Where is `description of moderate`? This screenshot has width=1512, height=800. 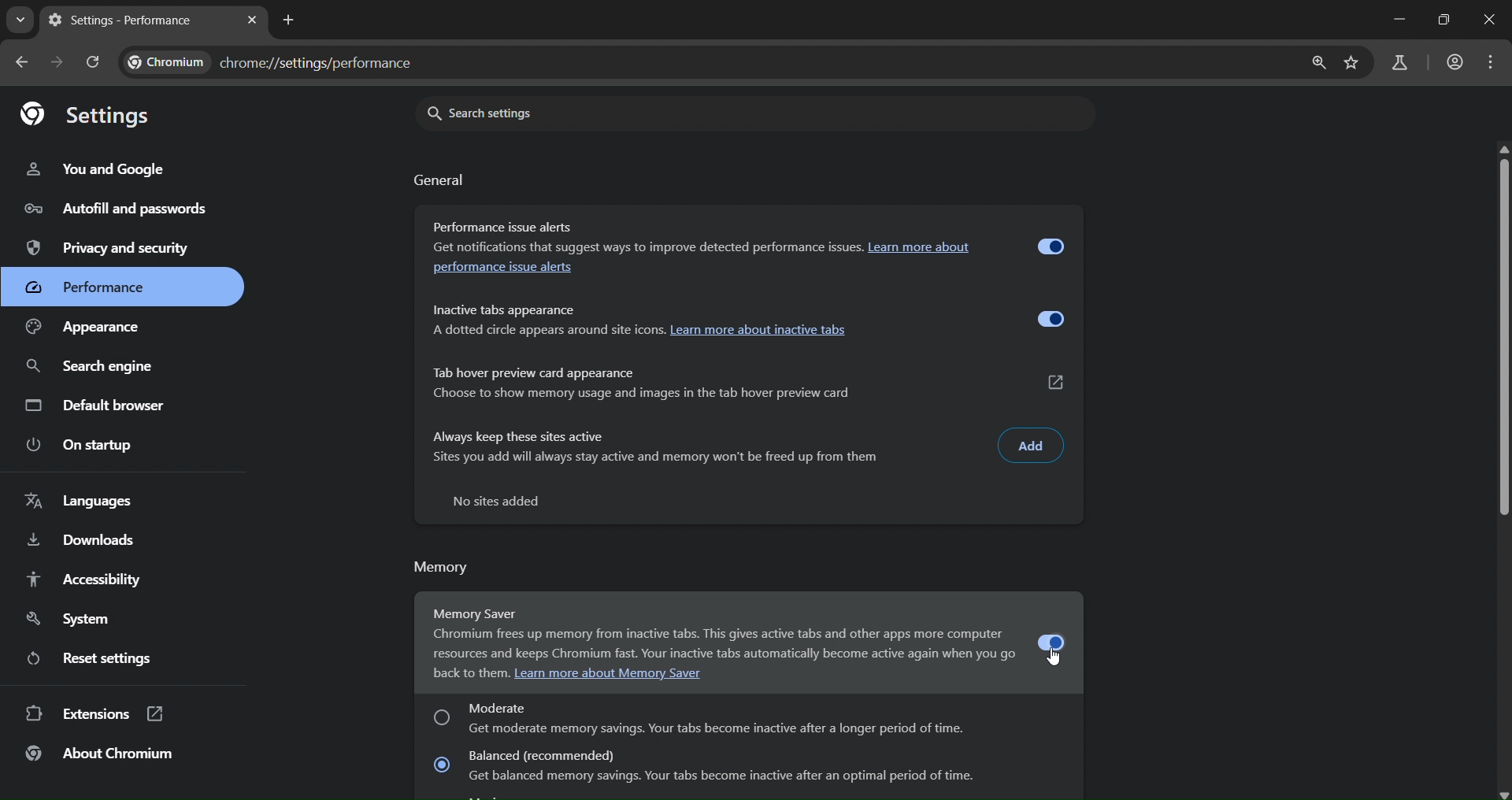
description of moderate is located at coordinates (720, 728).